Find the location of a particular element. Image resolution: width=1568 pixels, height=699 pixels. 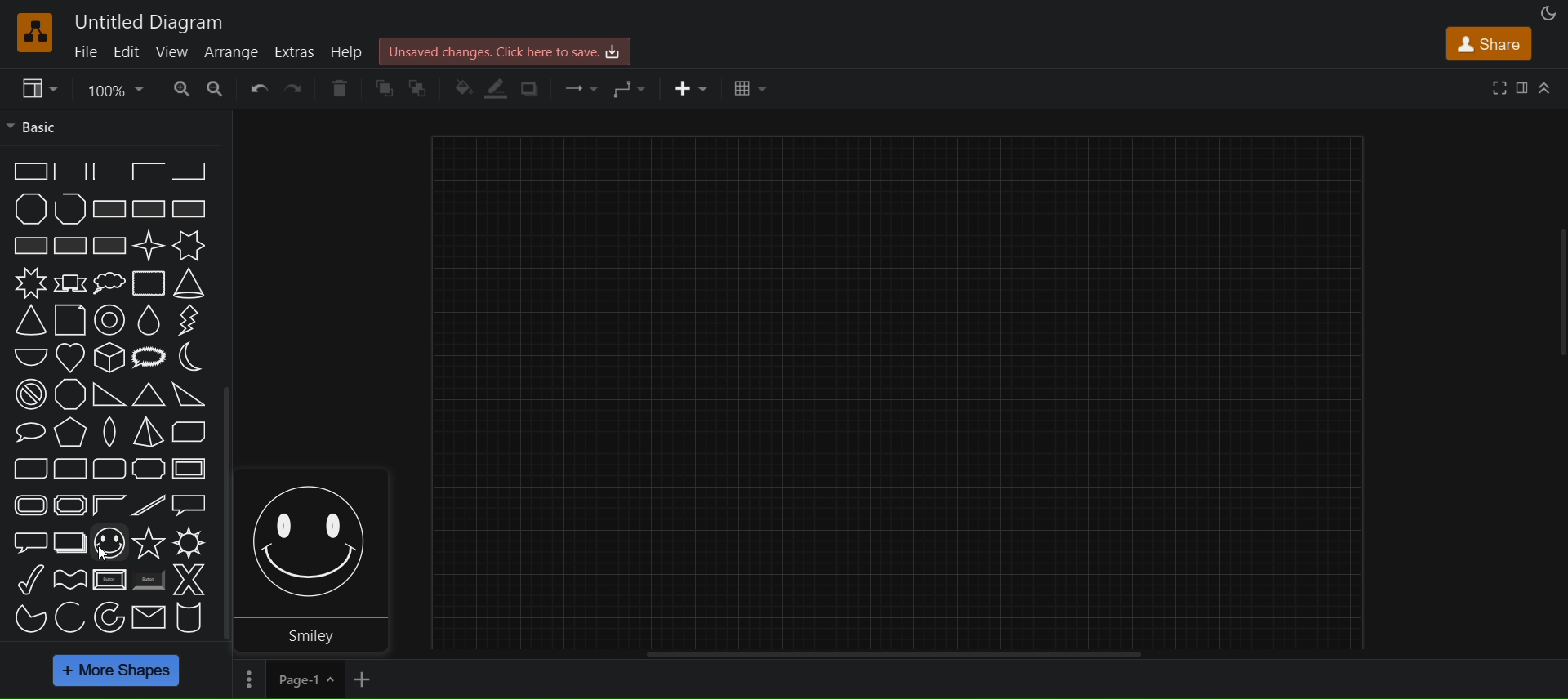

adjustable cone is located at coordinates (29, 319).